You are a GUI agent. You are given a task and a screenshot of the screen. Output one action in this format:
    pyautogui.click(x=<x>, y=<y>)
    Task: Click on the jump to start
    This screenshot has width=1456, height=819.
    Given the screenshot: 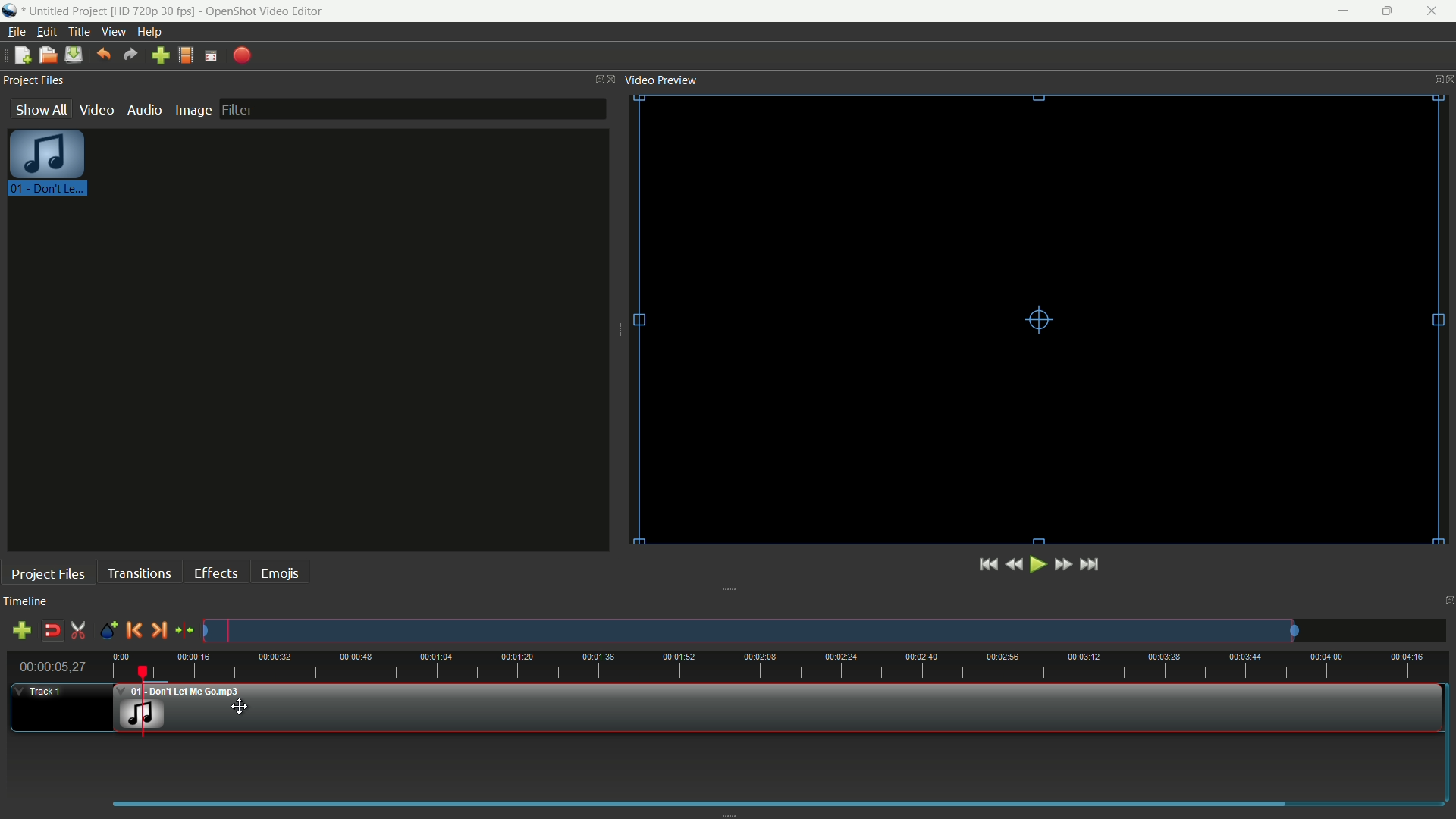 What is the action you would take?
    pyautogui.click(x=988, y=564)
    